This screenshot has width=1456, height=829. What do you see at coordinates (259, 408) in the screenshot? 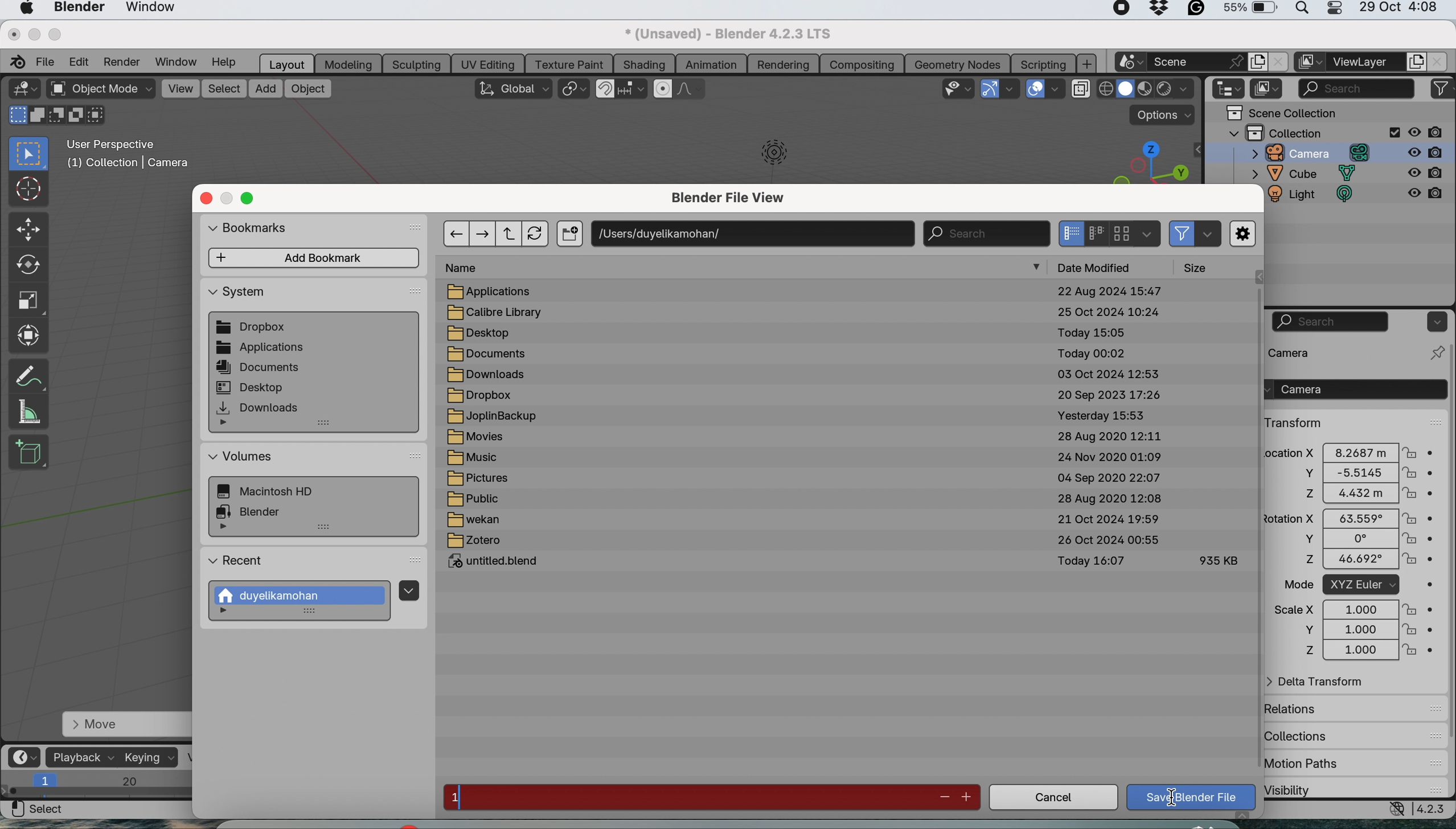
I see `downloads` at bounding box center [259, 408].